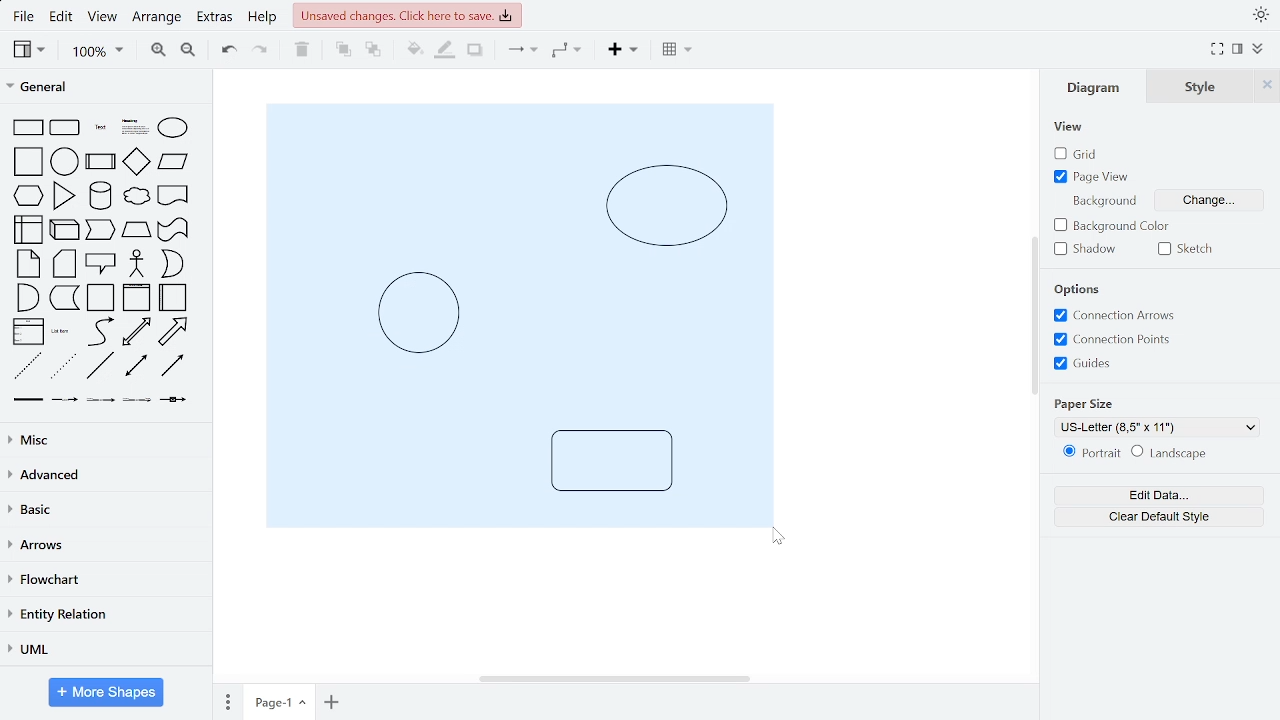  Describe the element at coordinates (27, 162) in the screenshot. I see `square` at that location.